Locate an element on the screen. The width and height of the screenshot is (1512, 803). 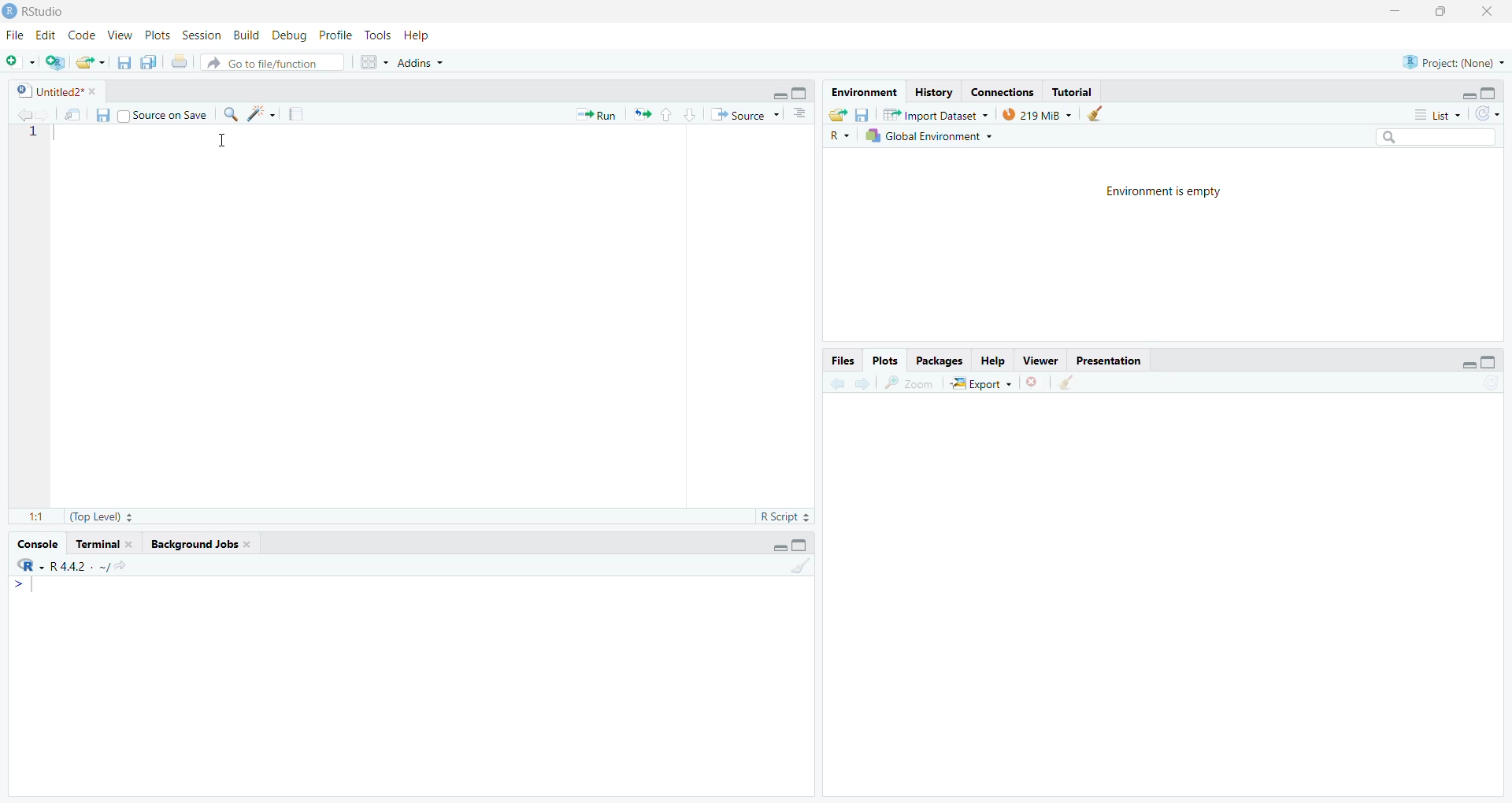
Global Environment is located at coordinates (928, 135).